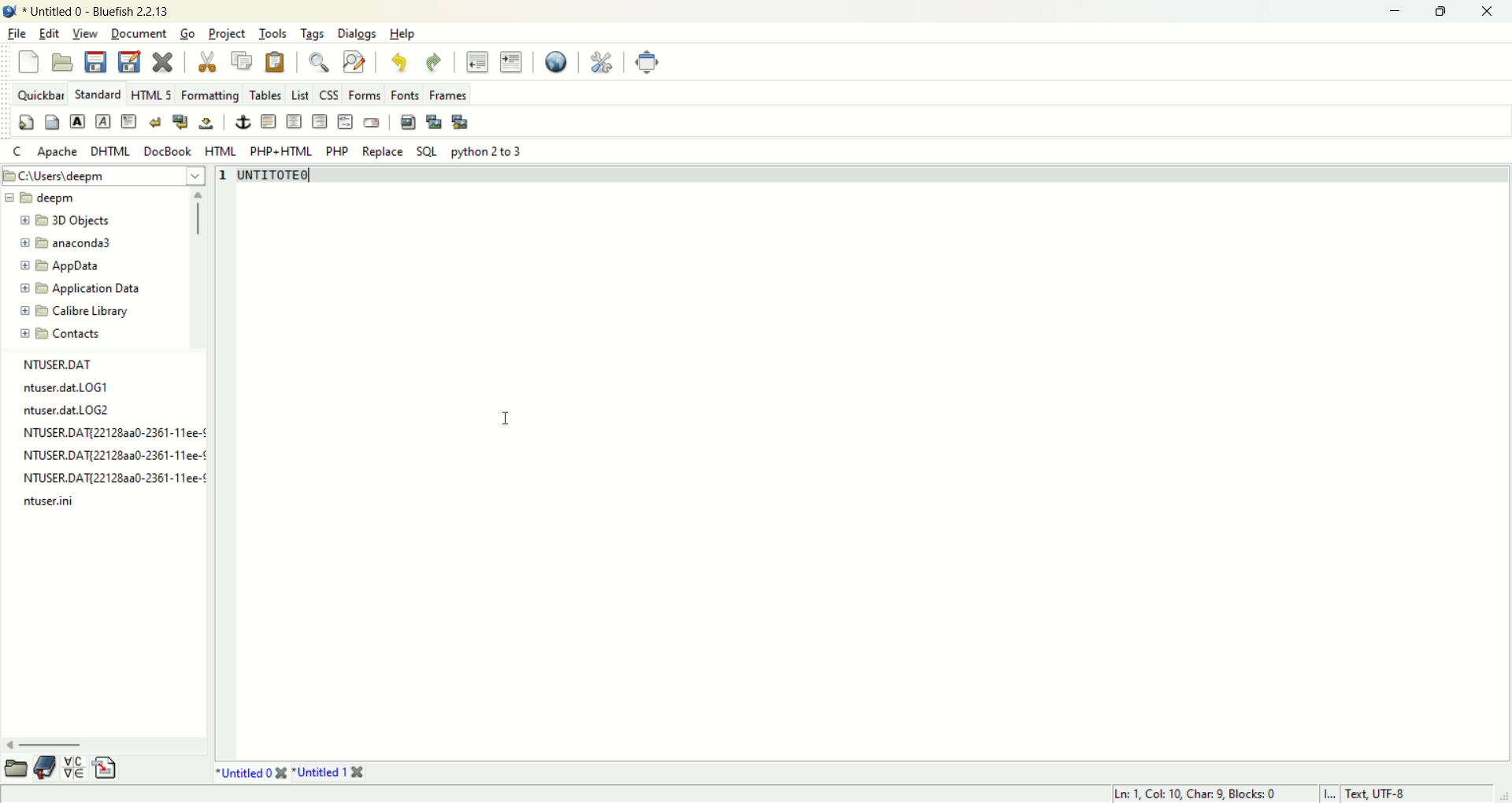 The image size is (1512, 803). Describe the element at coordinates (74, 768) in the screenshot. I see `insert special character` at that location.